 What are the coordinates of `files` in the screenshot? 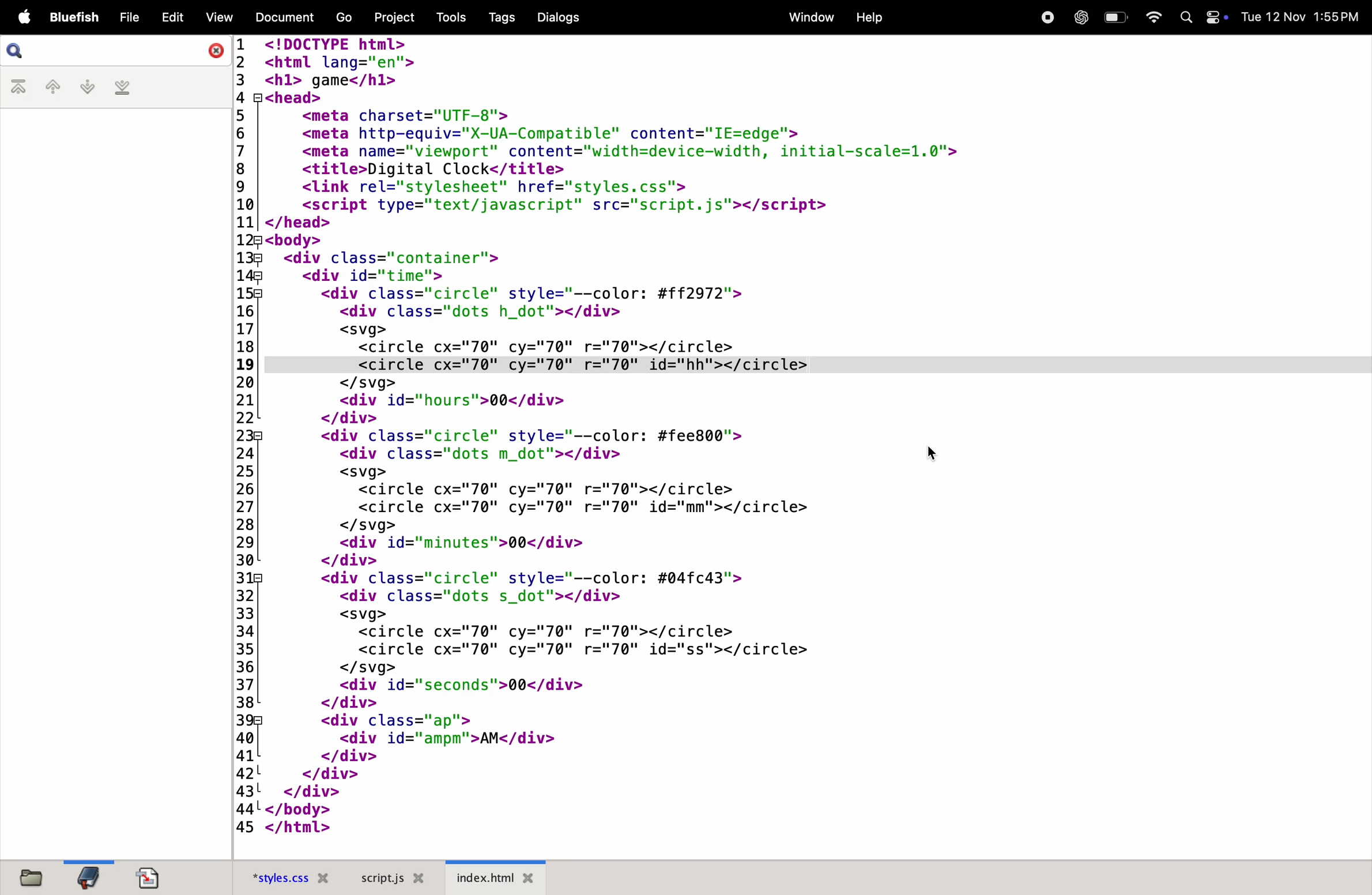 It's located at (35, 875).